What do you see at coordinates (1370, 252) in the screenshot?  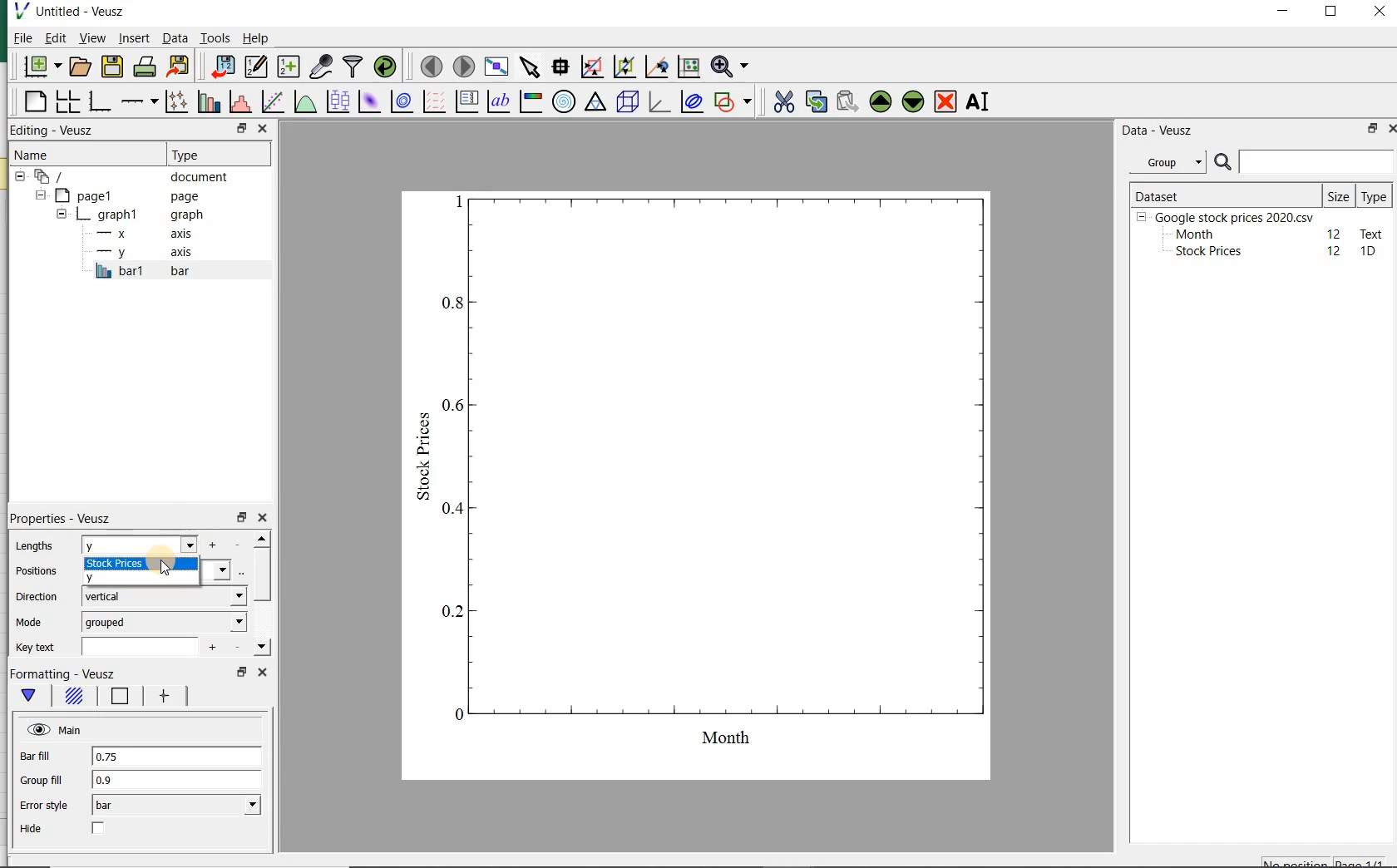 I see `1D` at bounding box center [1370, 252].